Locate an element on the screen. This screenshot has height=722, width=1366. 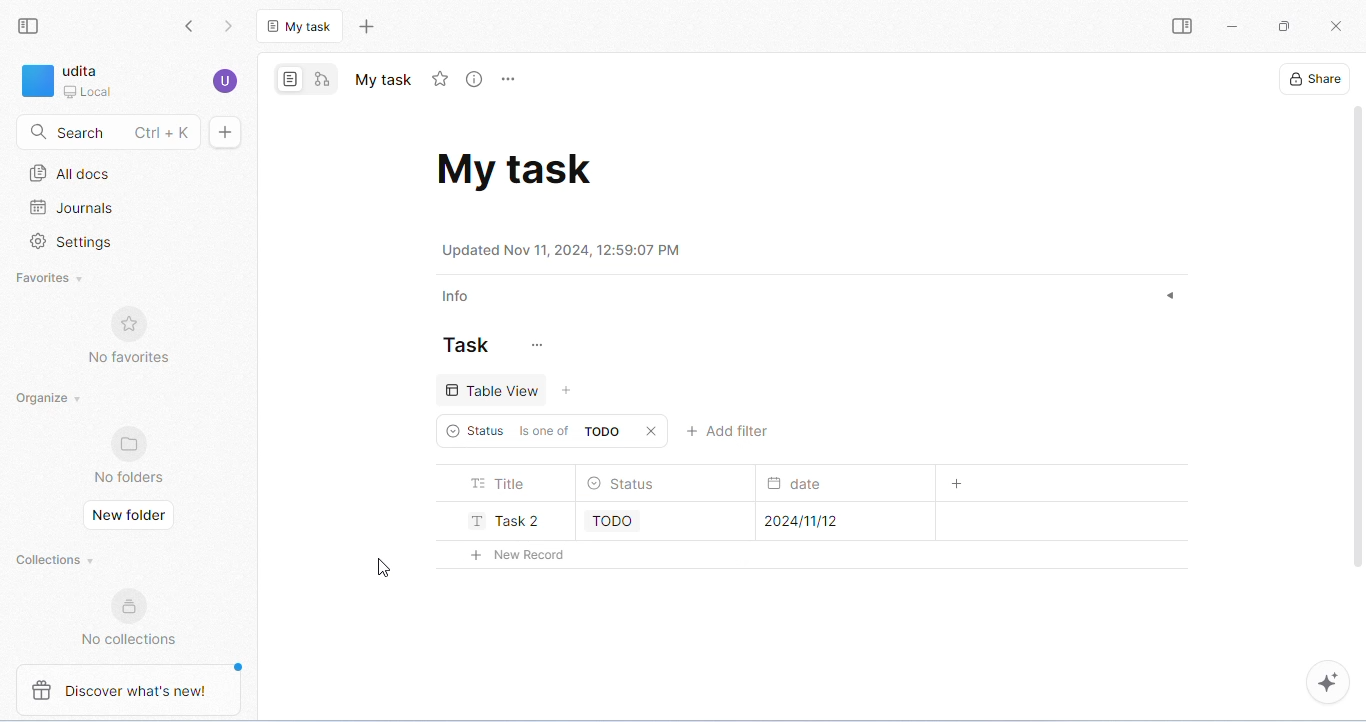
add view is located at coordinates (571, 391).